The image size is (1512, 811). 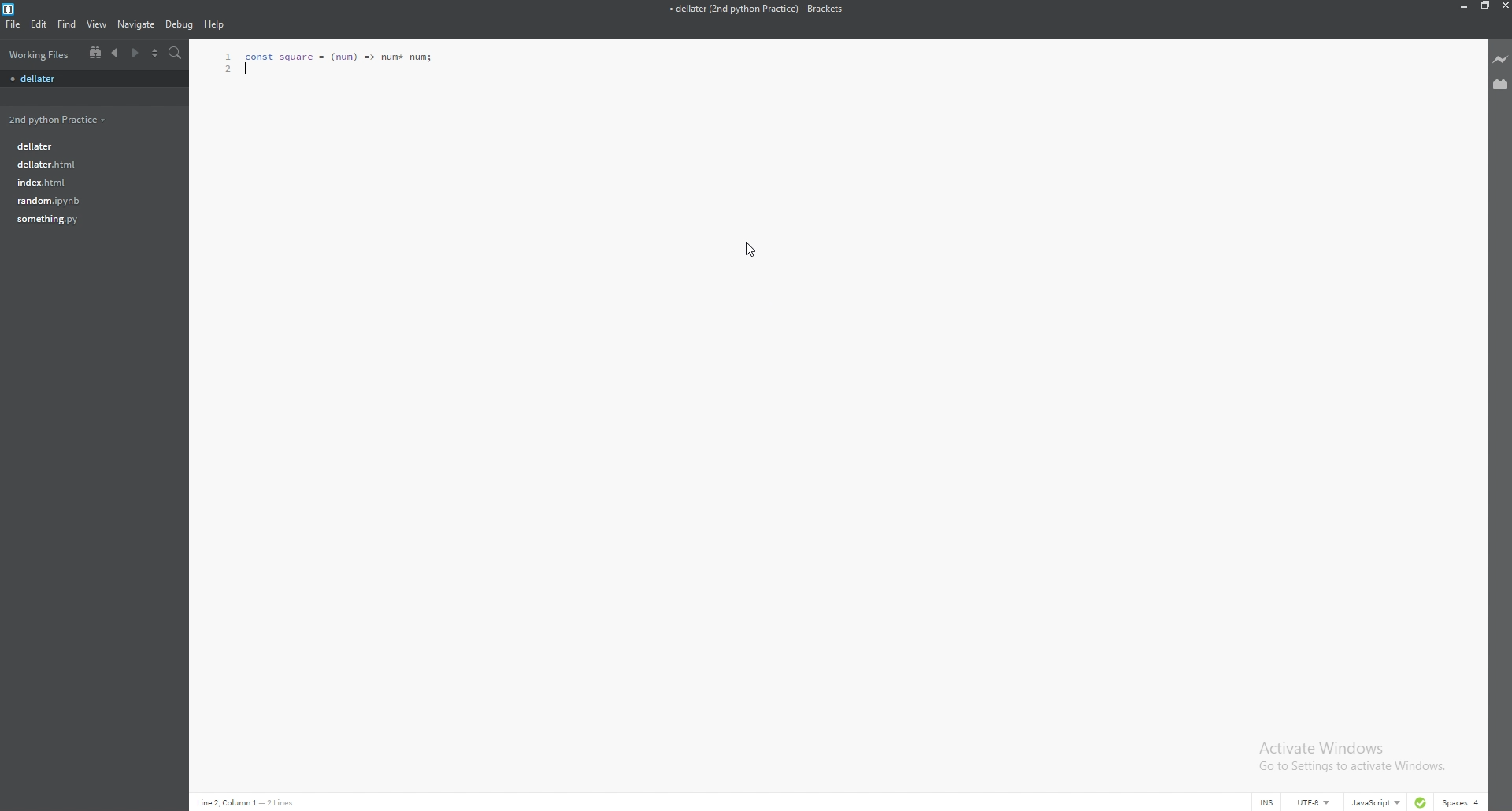 What do you see at coordinates (136, 53) in the screenshot?
I see `next` at bounding box center [136, 53].